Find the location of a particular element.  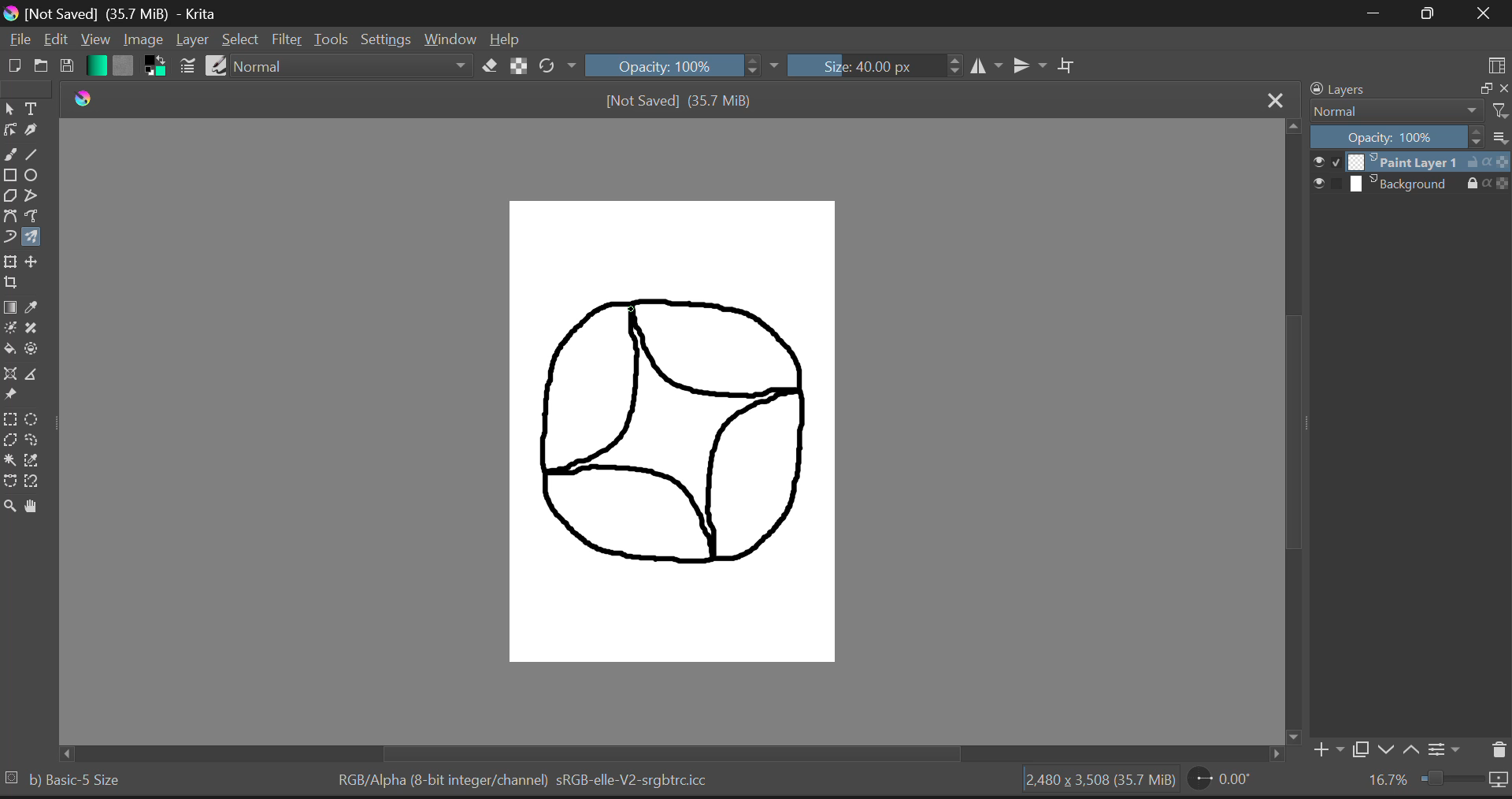

Add Layer is located at coordinates (1327, 749).